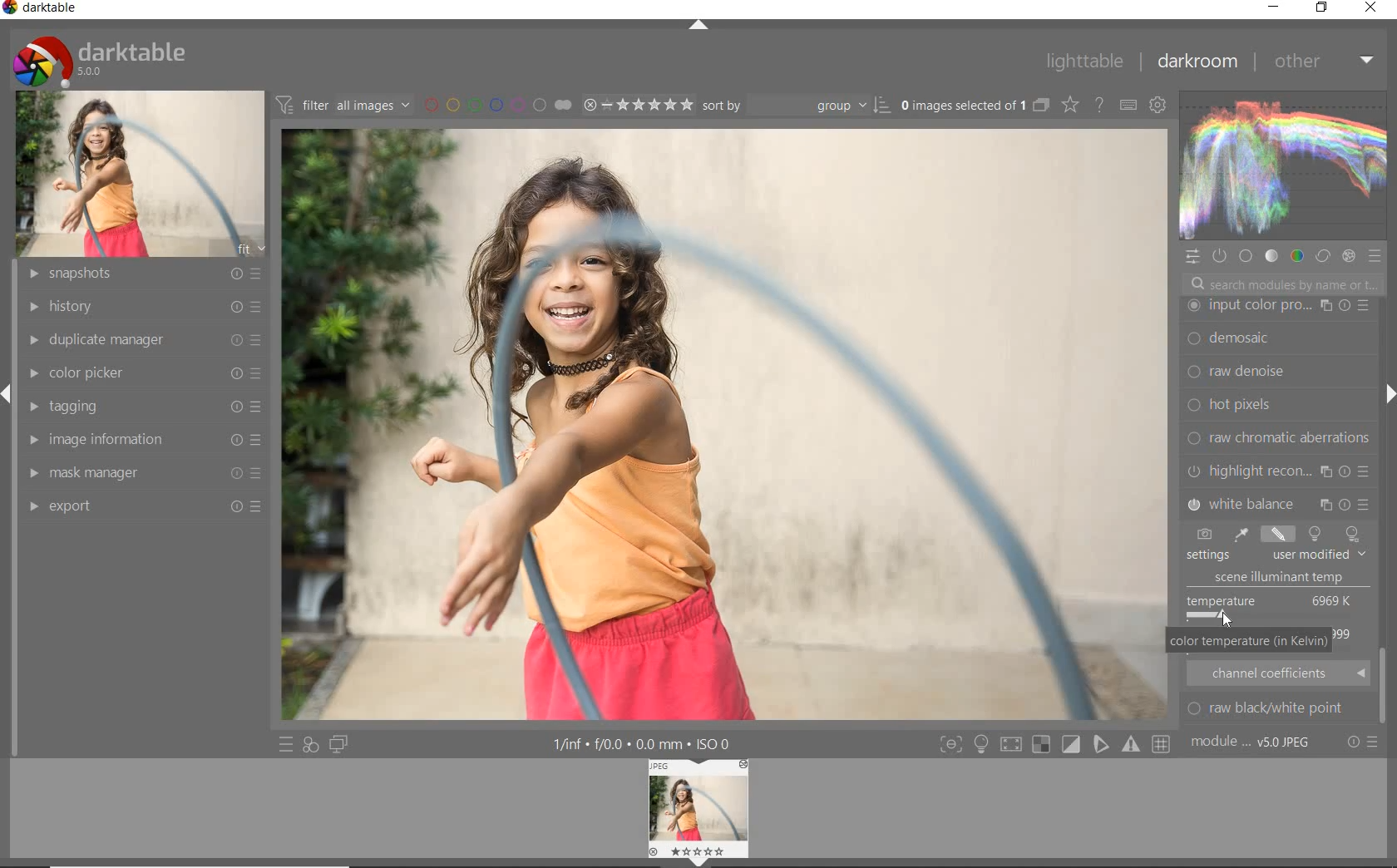  Describe the element at coordinates (1158, 106) in the screenshot. I see `show global preference` at that location.